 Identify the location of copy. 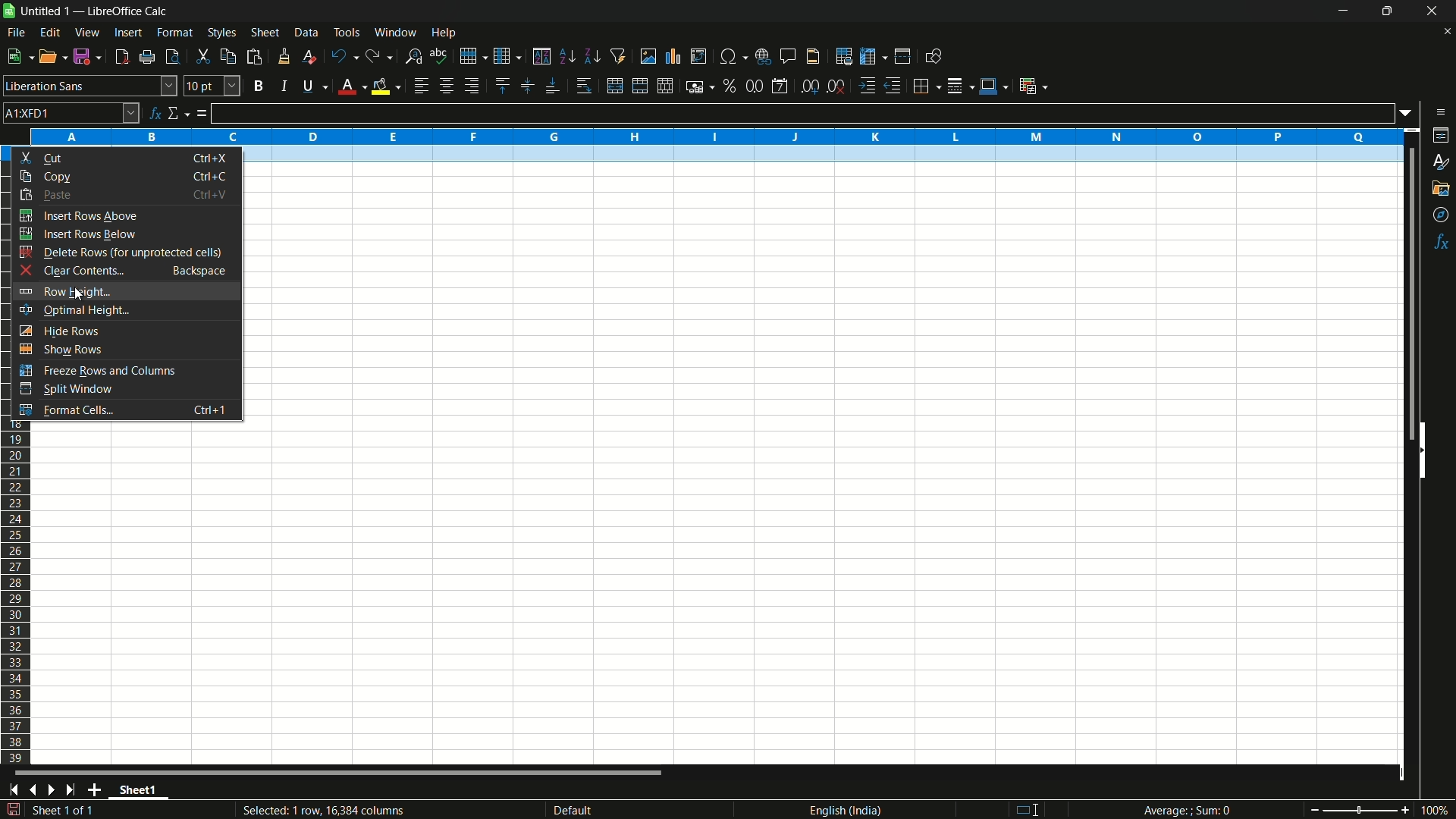
(227, 56).